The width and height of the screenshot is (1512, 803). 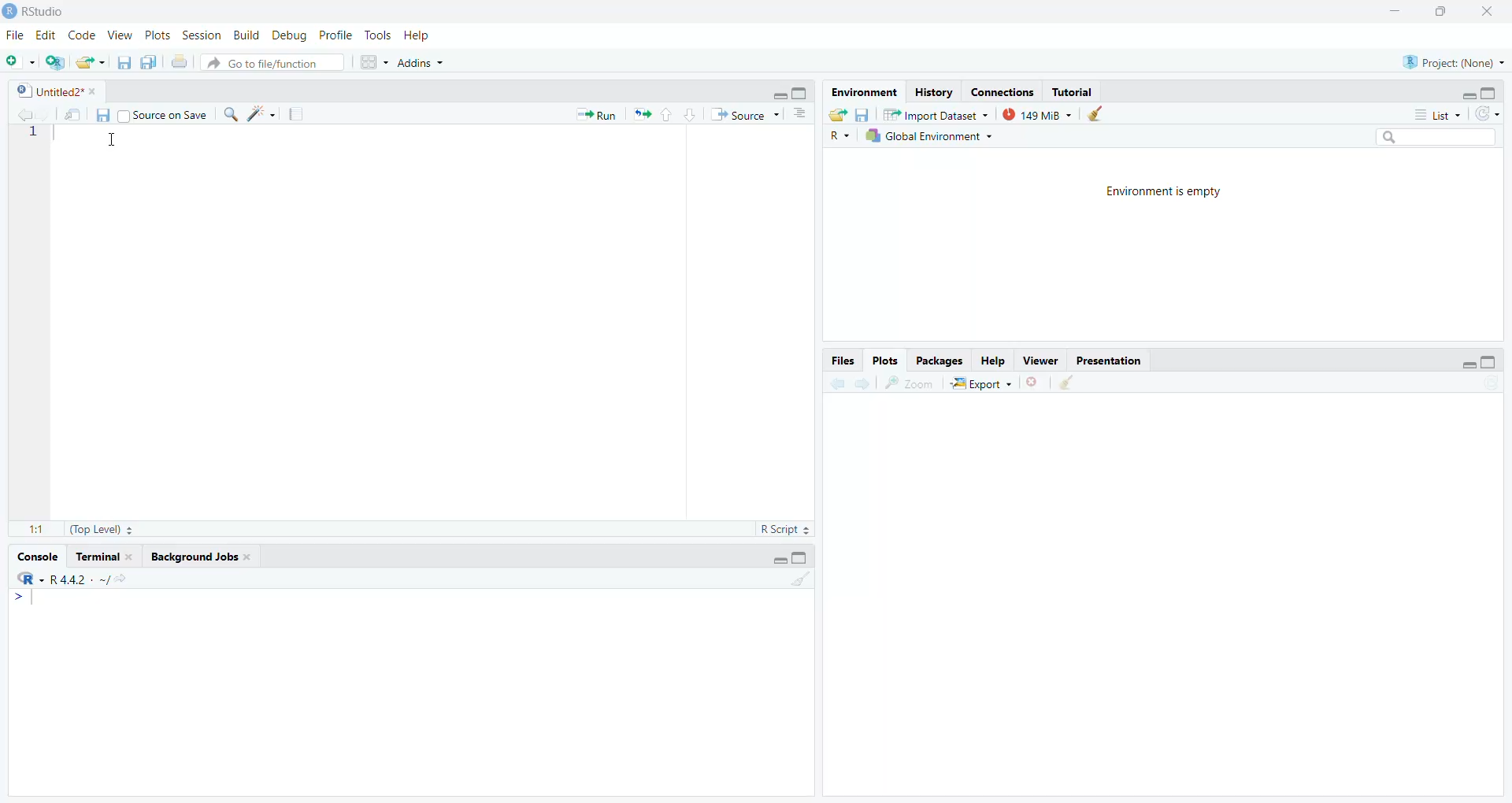 What do you see at coordinates (57, 90) in the screenshot?
I see `Untitled2*` at bounding box center [57, 90].